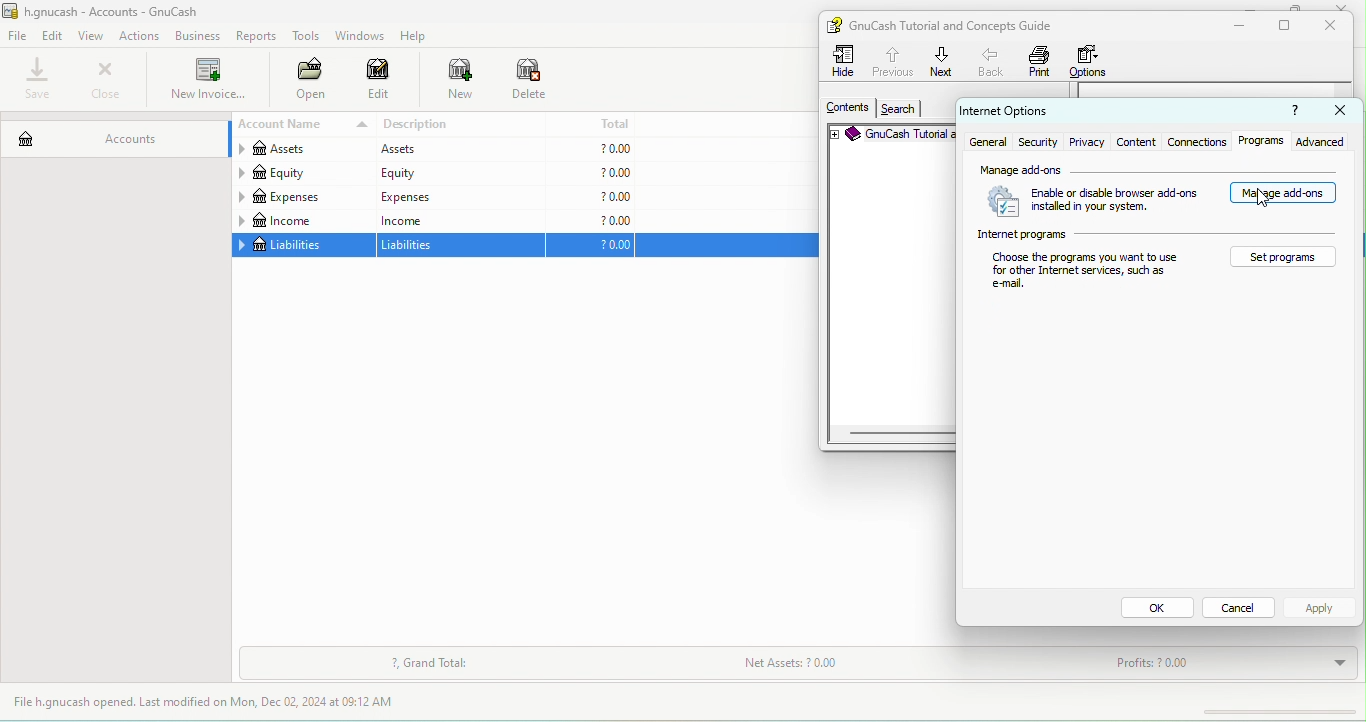  Describe the element at coordinates (891, 136) in the screenshot. I see `gnu cash tutorial c` at that location.